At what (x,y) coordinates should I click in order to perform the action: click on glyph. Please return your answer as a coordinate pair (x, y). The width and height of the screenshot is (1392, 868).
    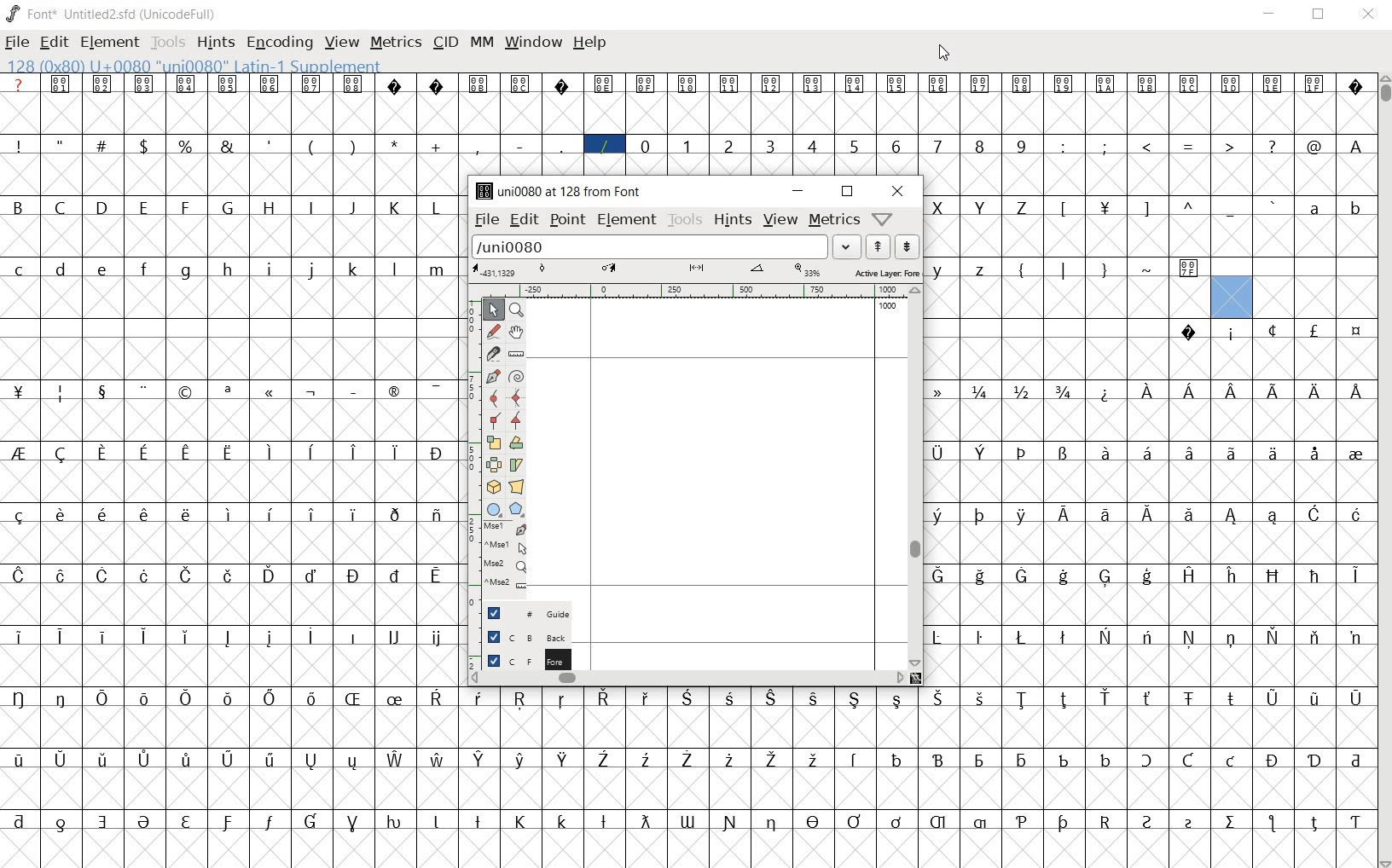
    Looking at the image, I should click on (896, 147).